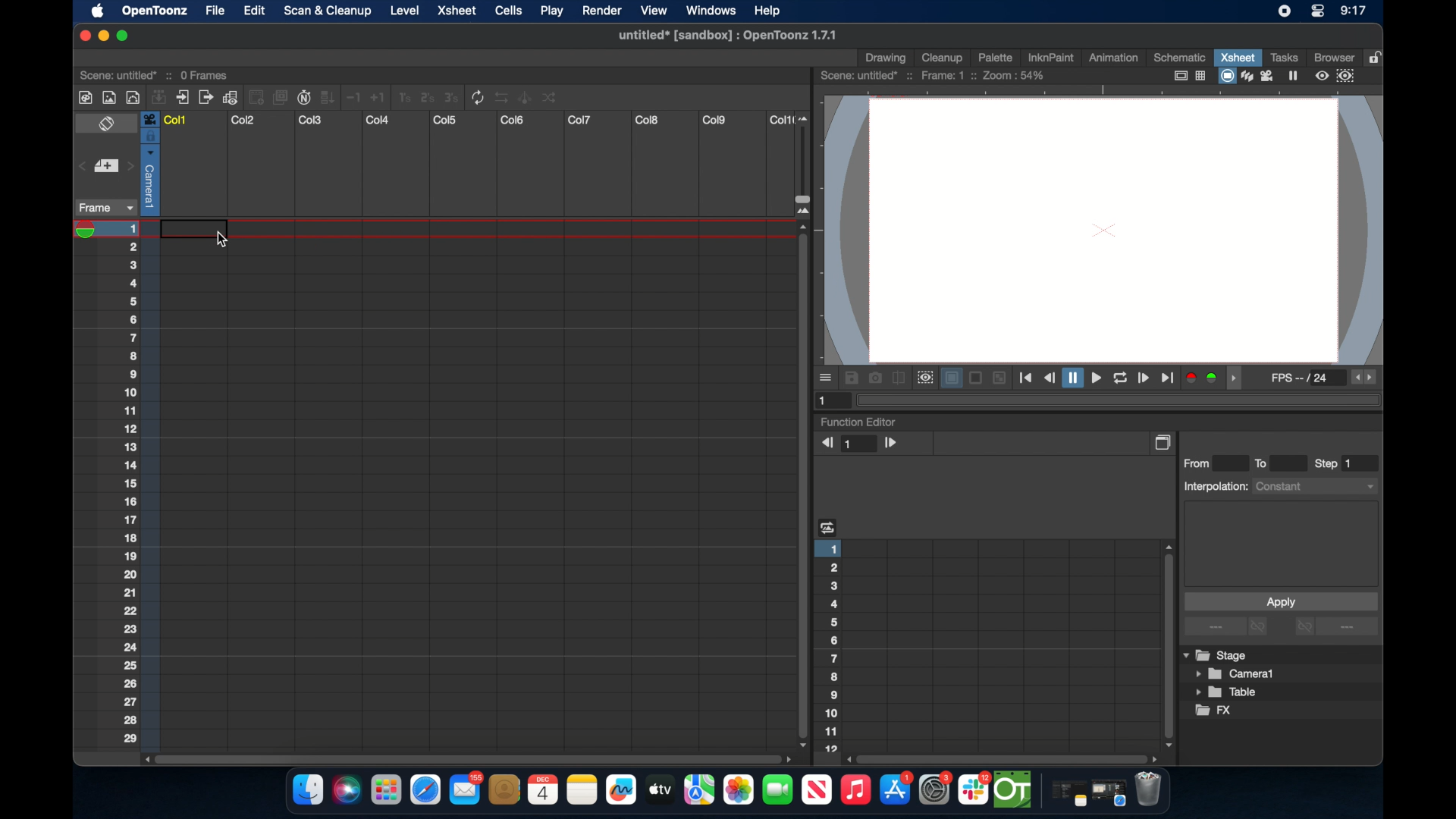 The width and height of the screenshot is (1456, 819). I want to click on safari, so click(1109, 793).